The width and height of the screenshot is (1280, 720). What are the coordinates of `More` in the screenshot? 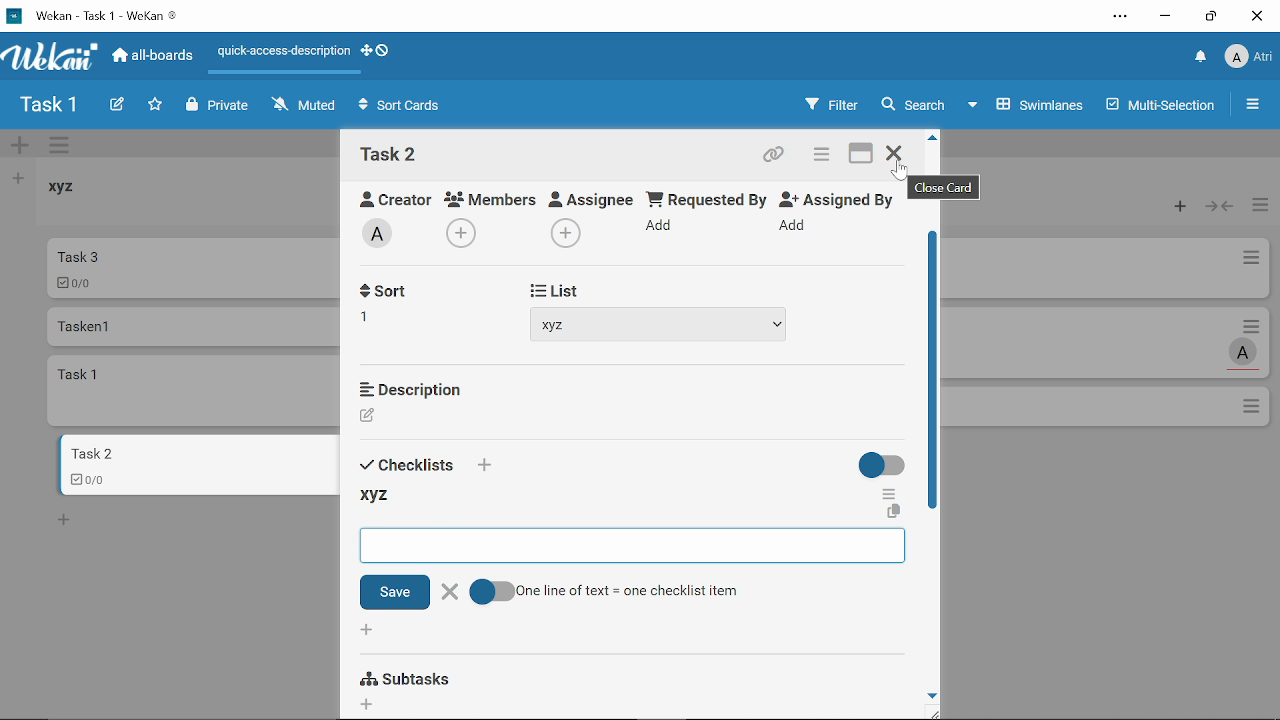 It's located at (884, 494).